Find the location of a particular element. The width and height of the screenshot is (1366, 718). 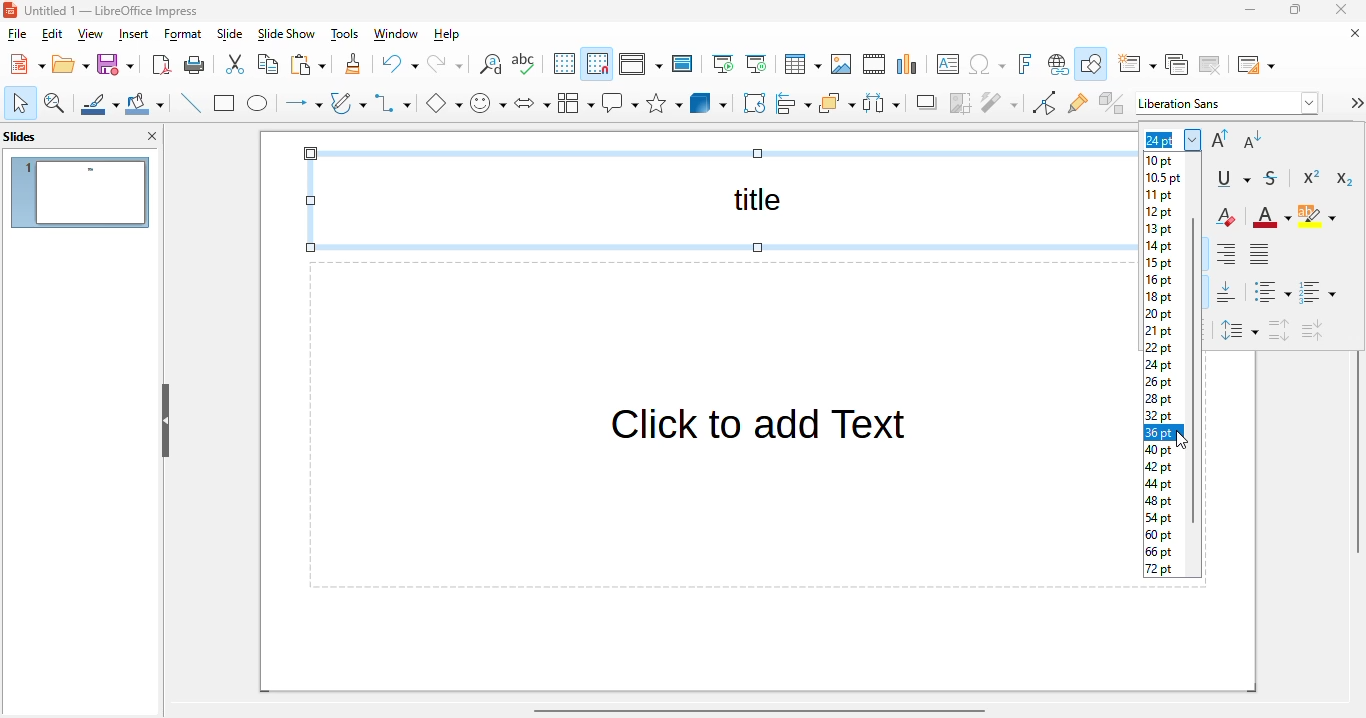

format is located at coordinates (183, 35).